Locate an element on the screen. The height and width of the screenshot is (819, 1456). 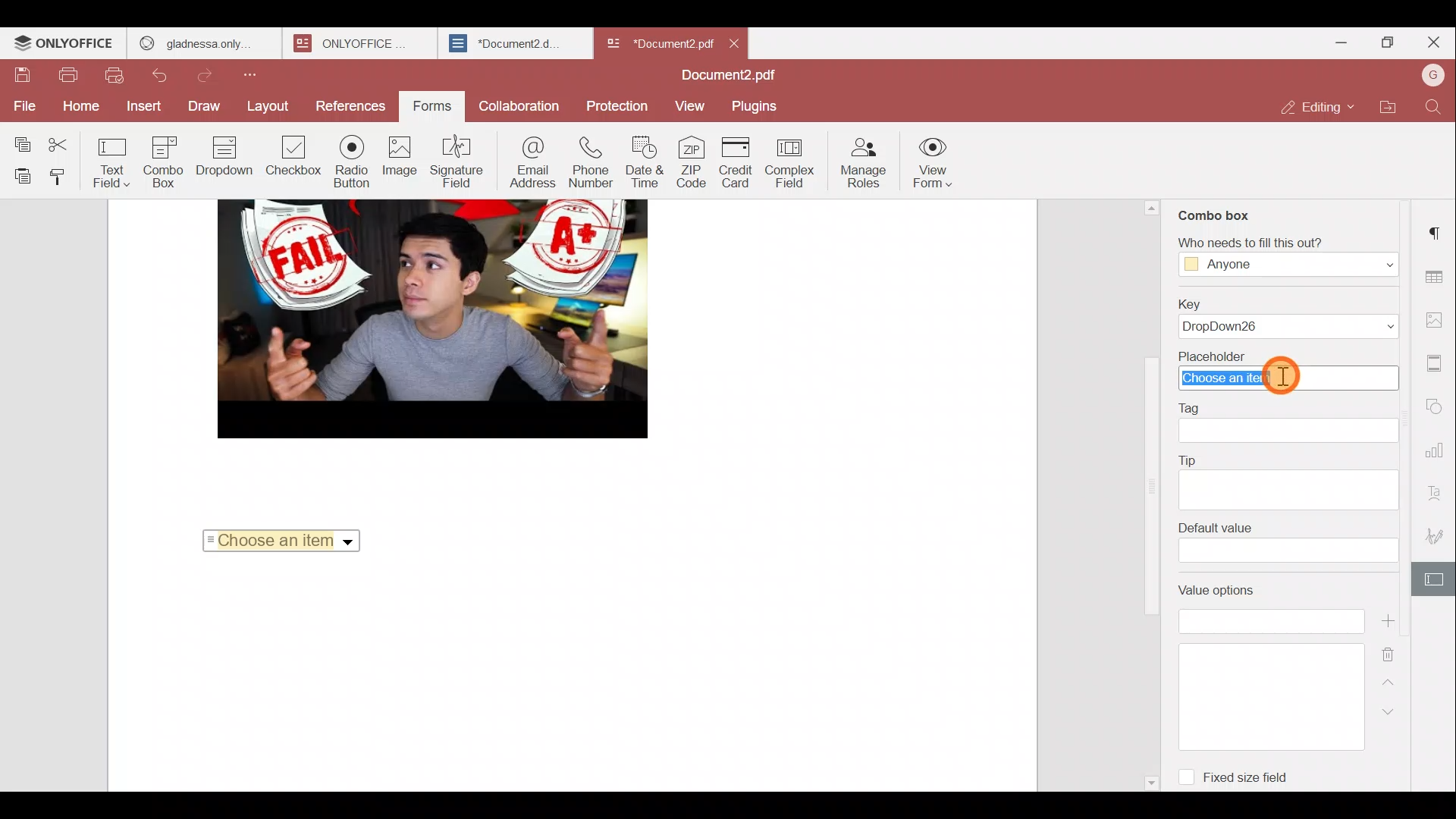
Credit card is located at coordinates (738, 162).